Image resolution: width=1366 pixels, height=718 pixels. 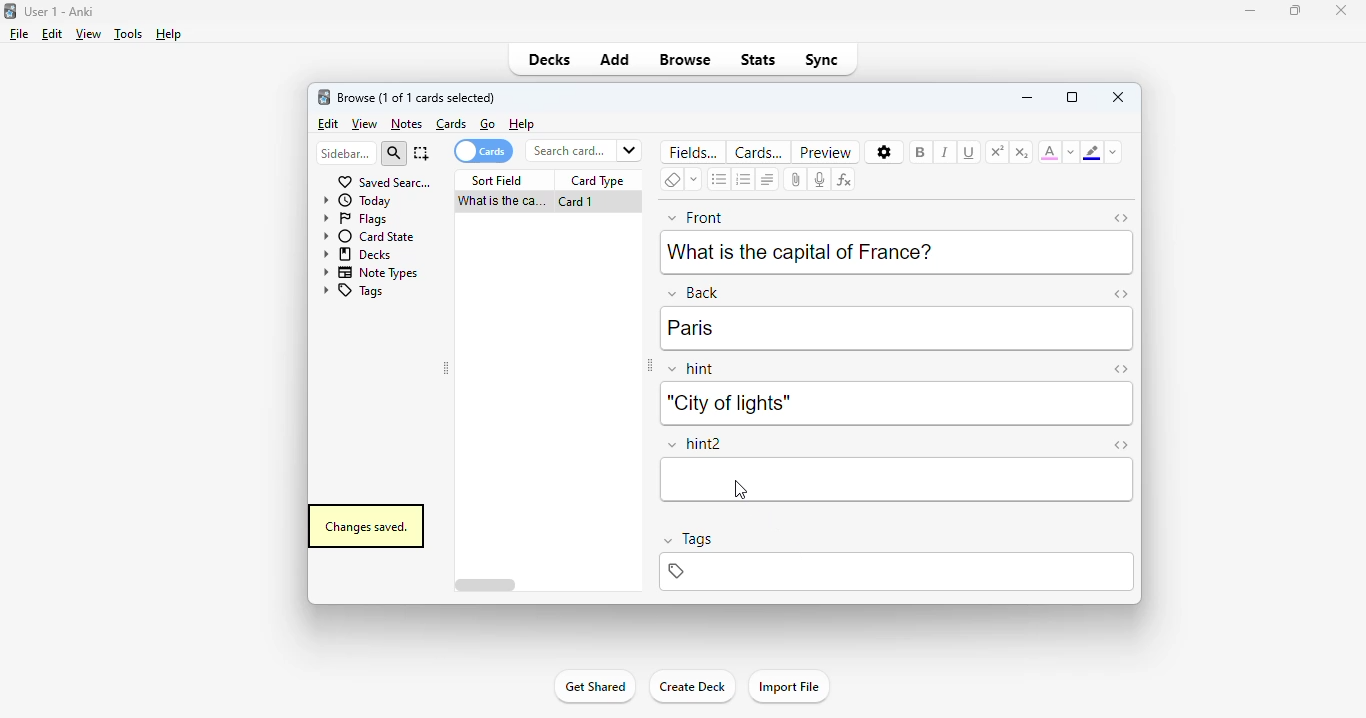 What do you see at coordinates (672, 180) in the screenshot?
I see `remove formatting` at bounding box center [672, 180].